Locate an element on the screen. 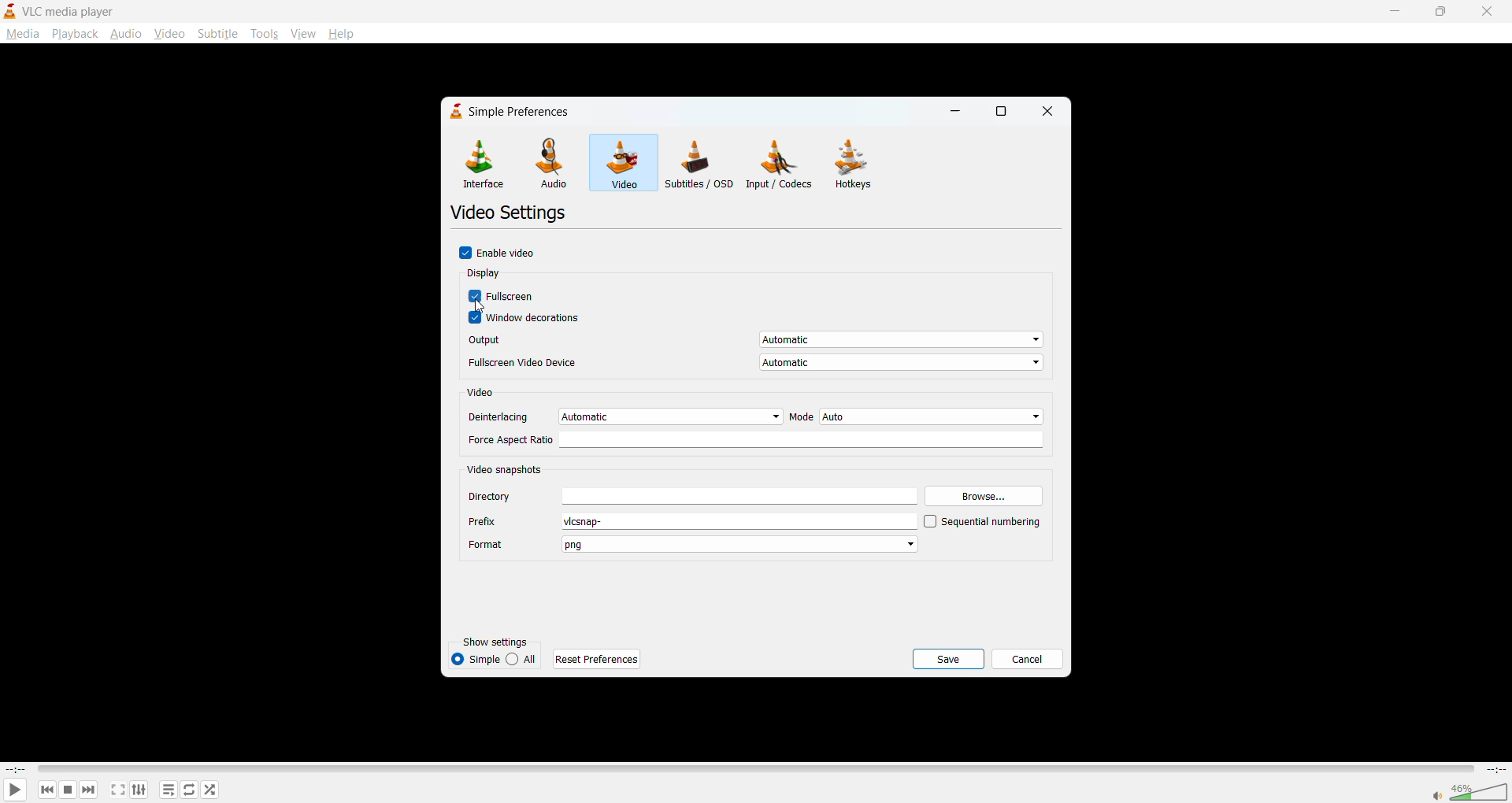  force aspect ratio is located at coordinates (758, 440).